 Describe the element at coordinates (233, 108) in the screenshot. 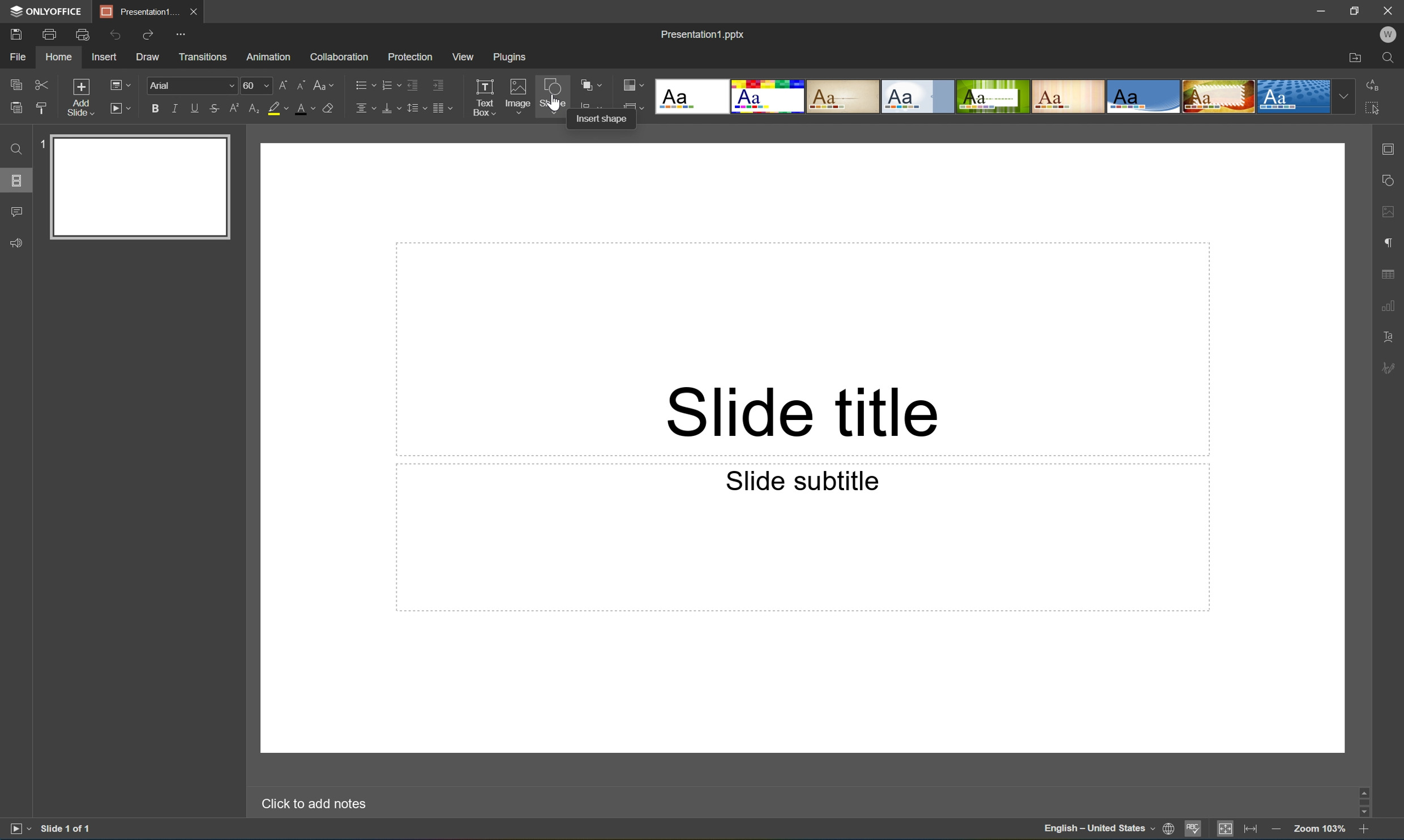

I see `Superscript` at that location.